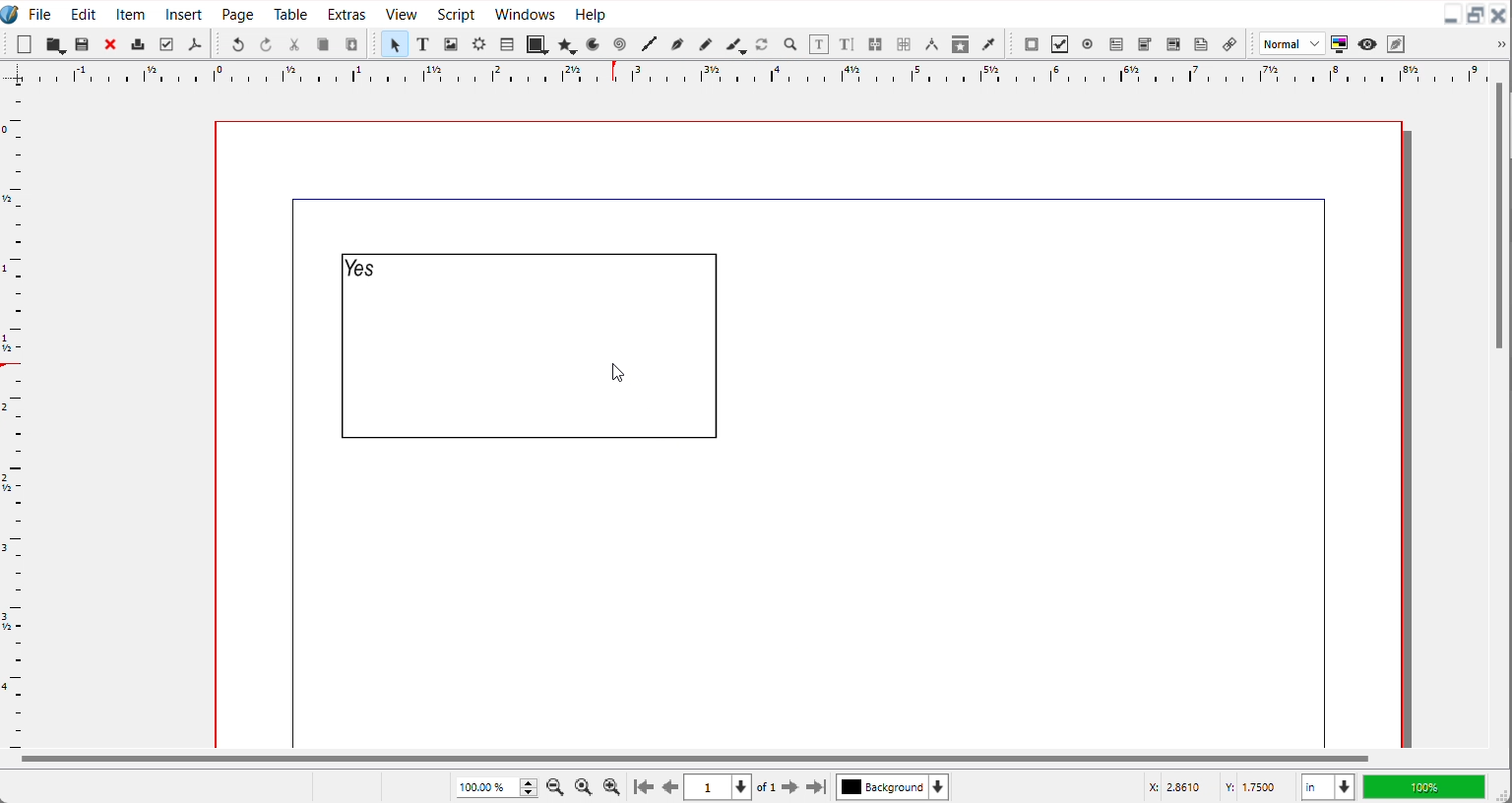 Image resolution: width=1512 pixels, height=803 pixels. I want to click on Rotate item, so click(762, 44).